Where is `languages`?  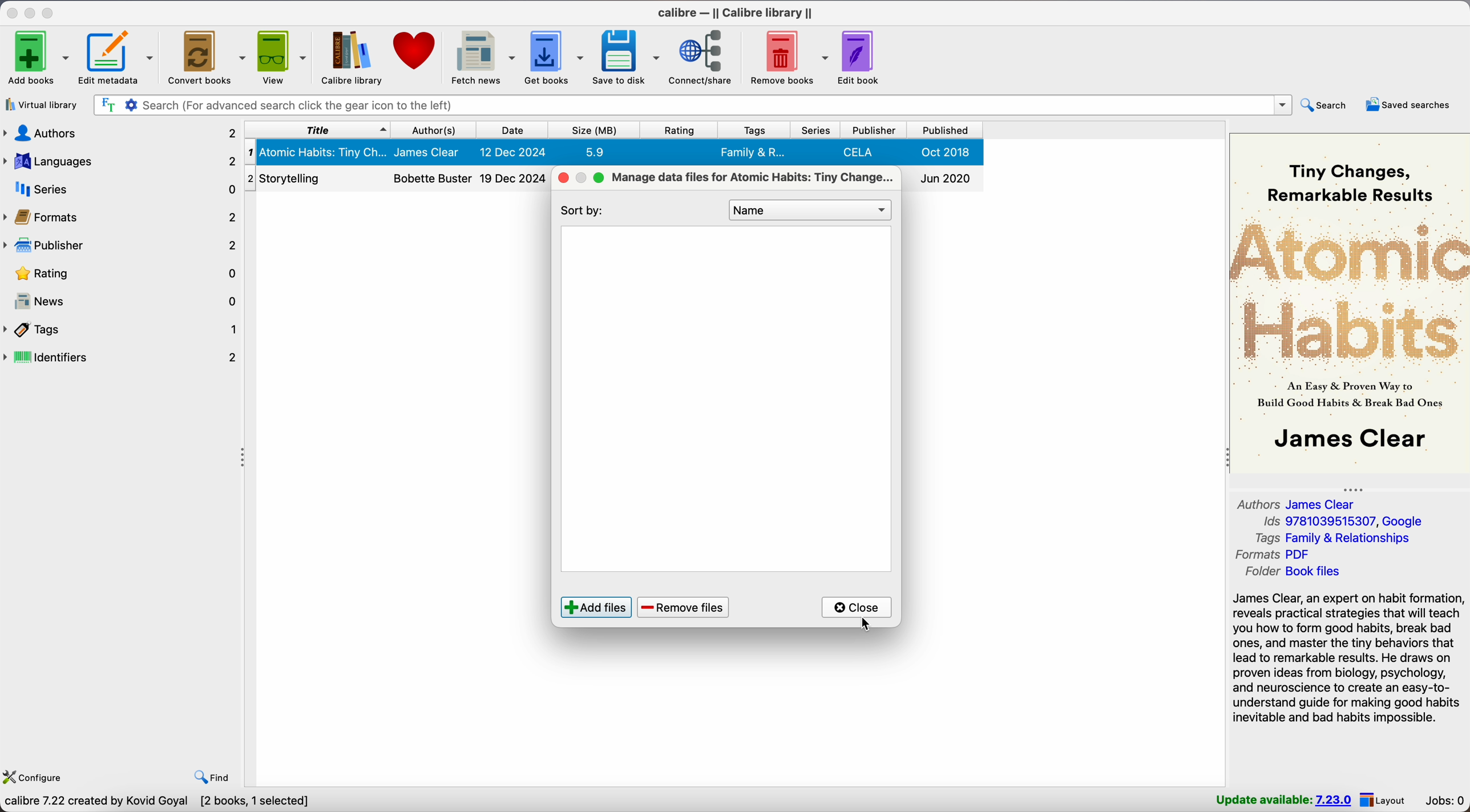
languages is located at coordinates (122, 161).